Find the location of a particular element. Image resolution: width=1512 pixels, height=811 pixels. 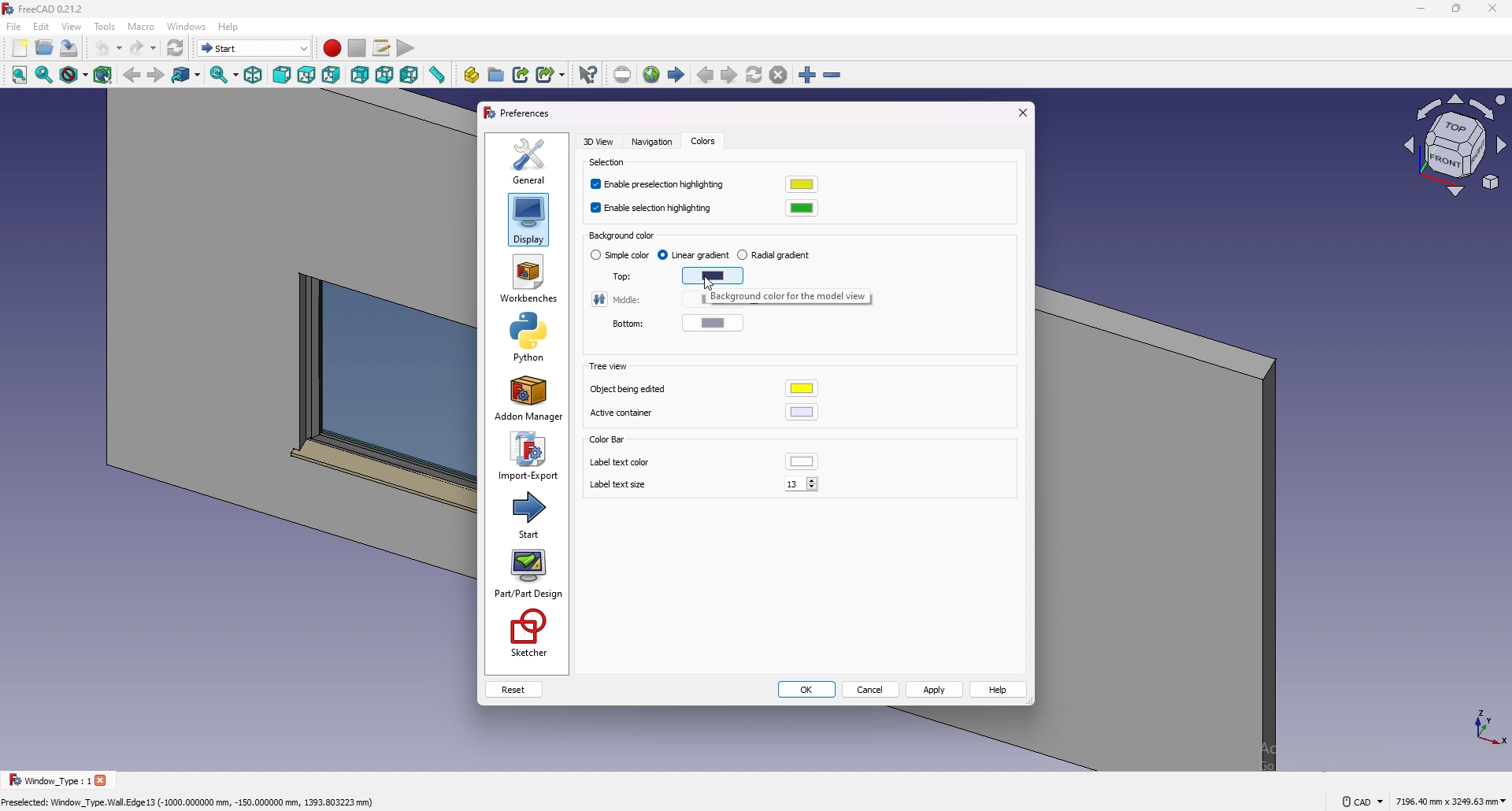

set url is located at coordinates (622, 75).